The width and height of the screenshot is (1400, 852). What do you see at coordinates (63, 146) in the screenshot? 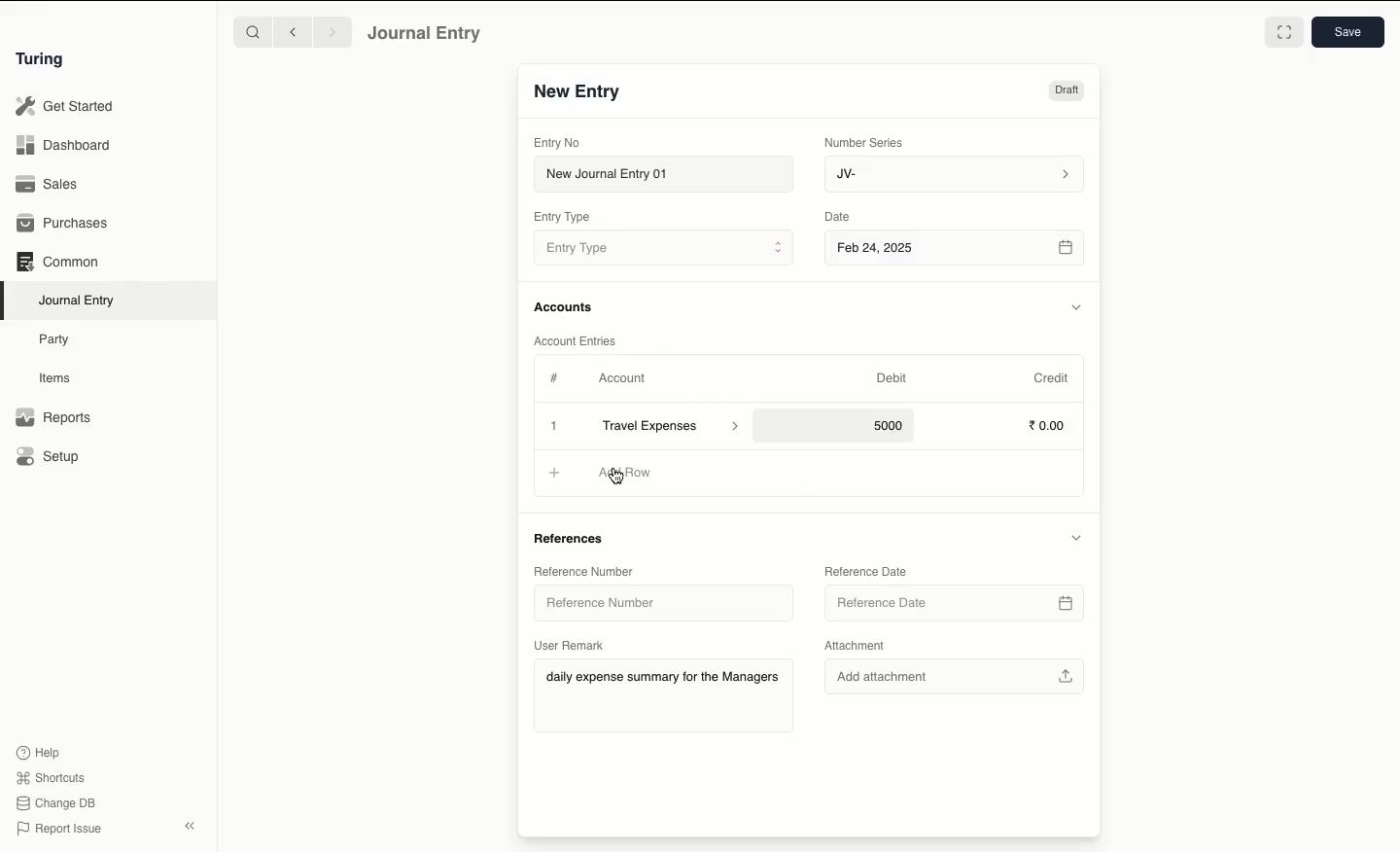
I see `Dashboard` at bounding box center [63, 146].